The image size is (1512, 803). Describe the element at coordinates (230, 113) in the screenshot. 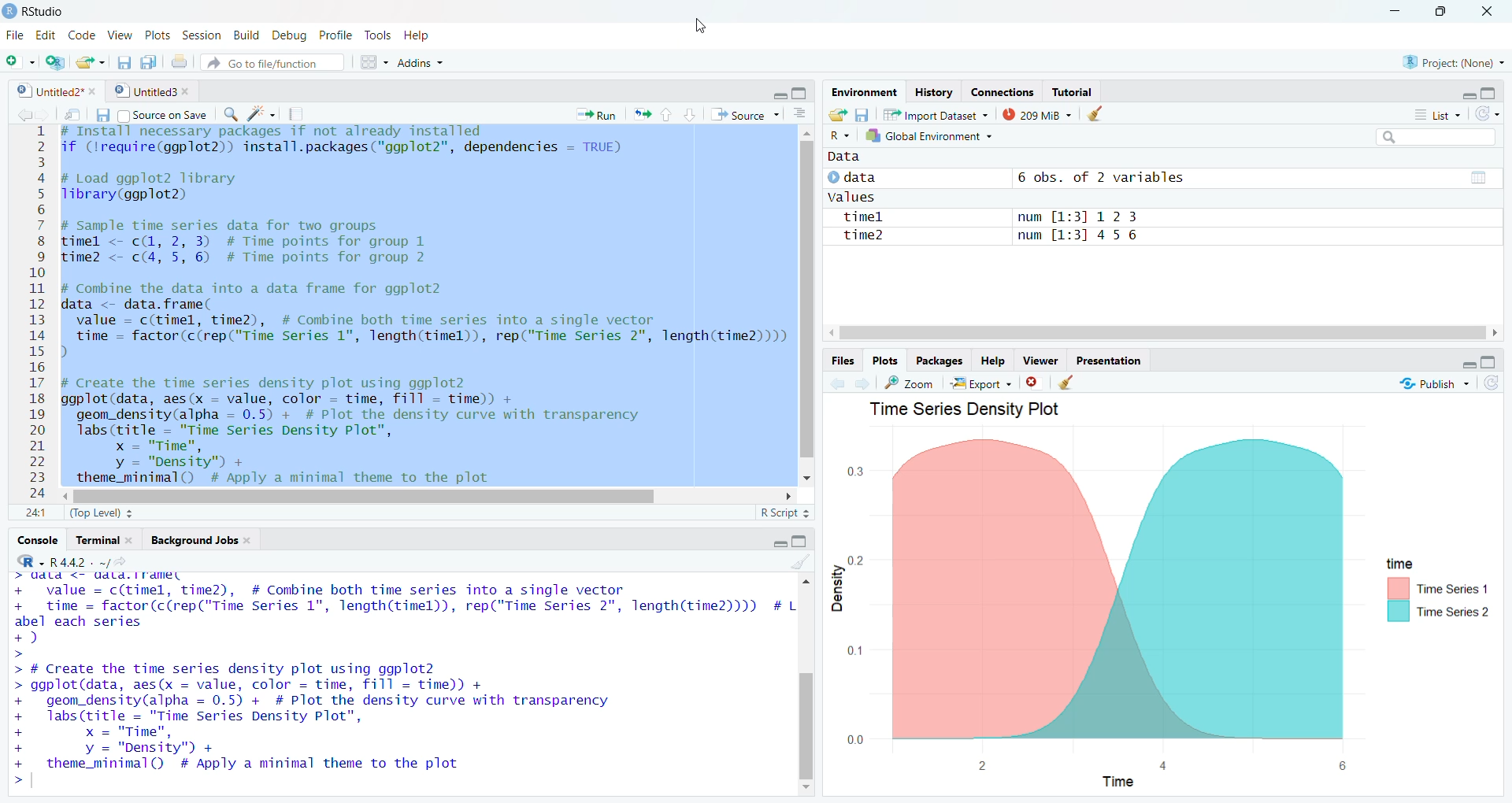

I see `Find/Replace` at that location.